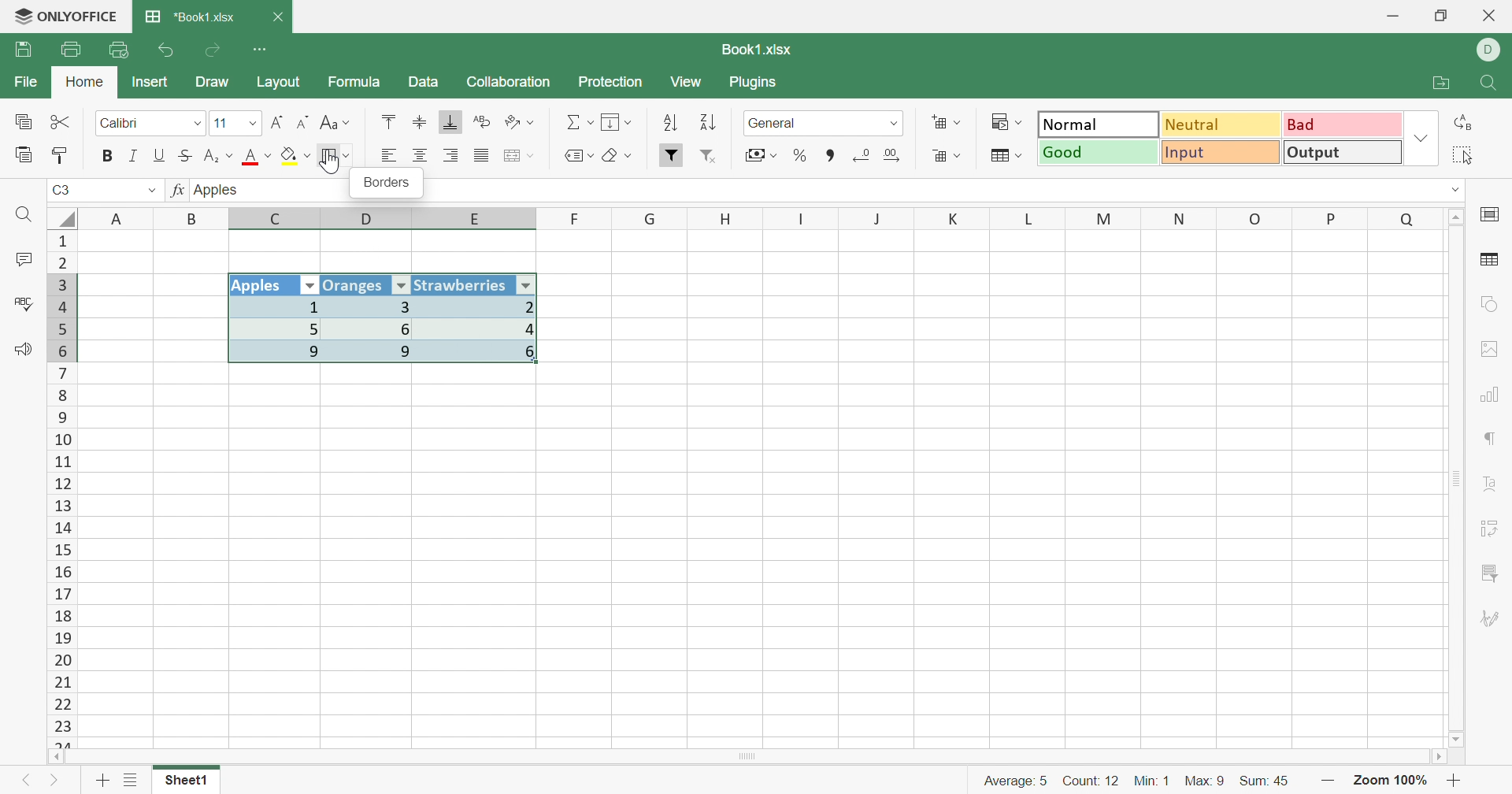  Describe the element at coordinates (1446, 188) in the screenshot. I see `drop down ` at that location.